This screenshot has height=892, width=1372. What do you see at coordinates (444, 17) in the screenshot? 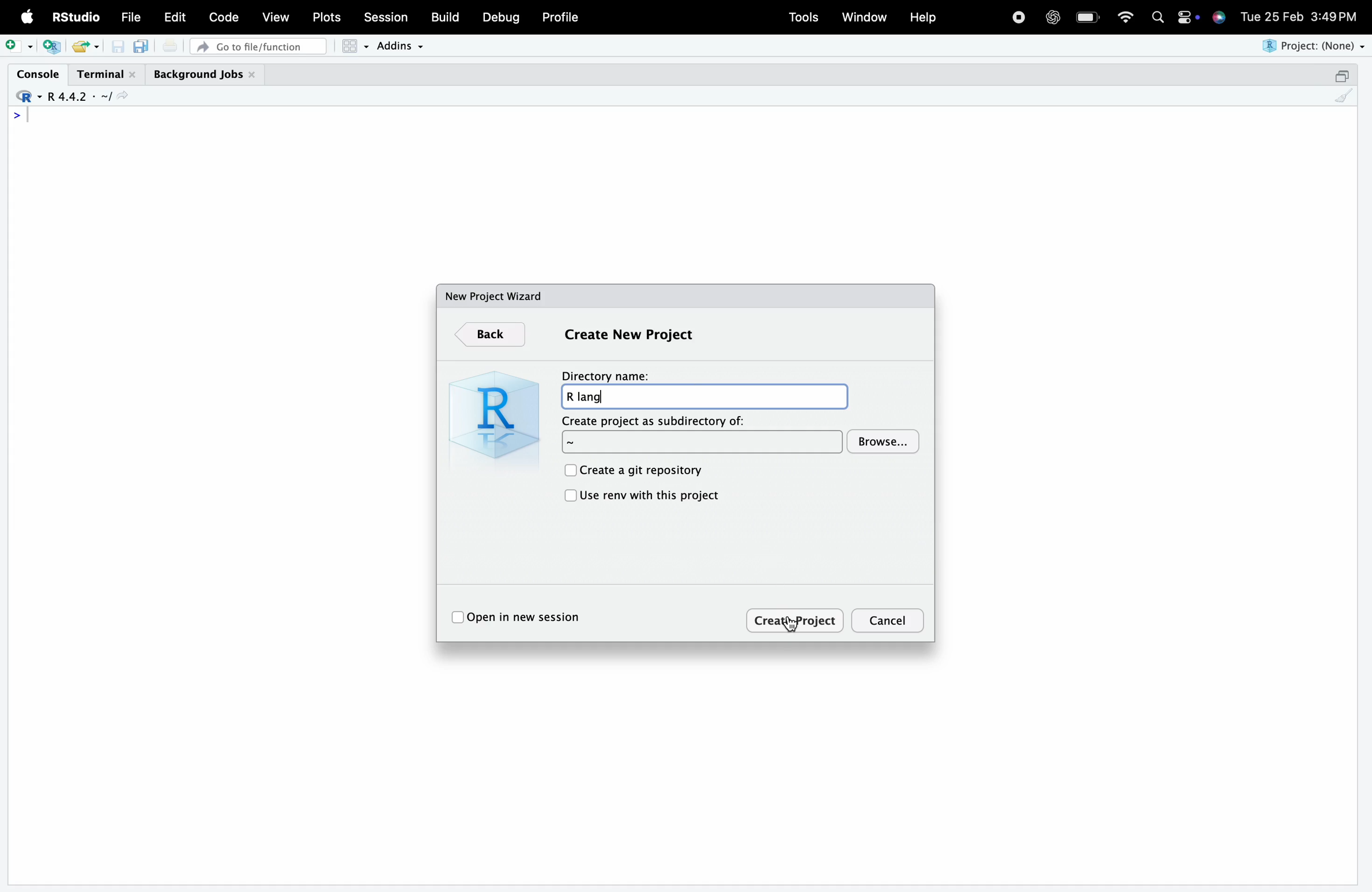
I see `Build` at bounding box center [444, 17].